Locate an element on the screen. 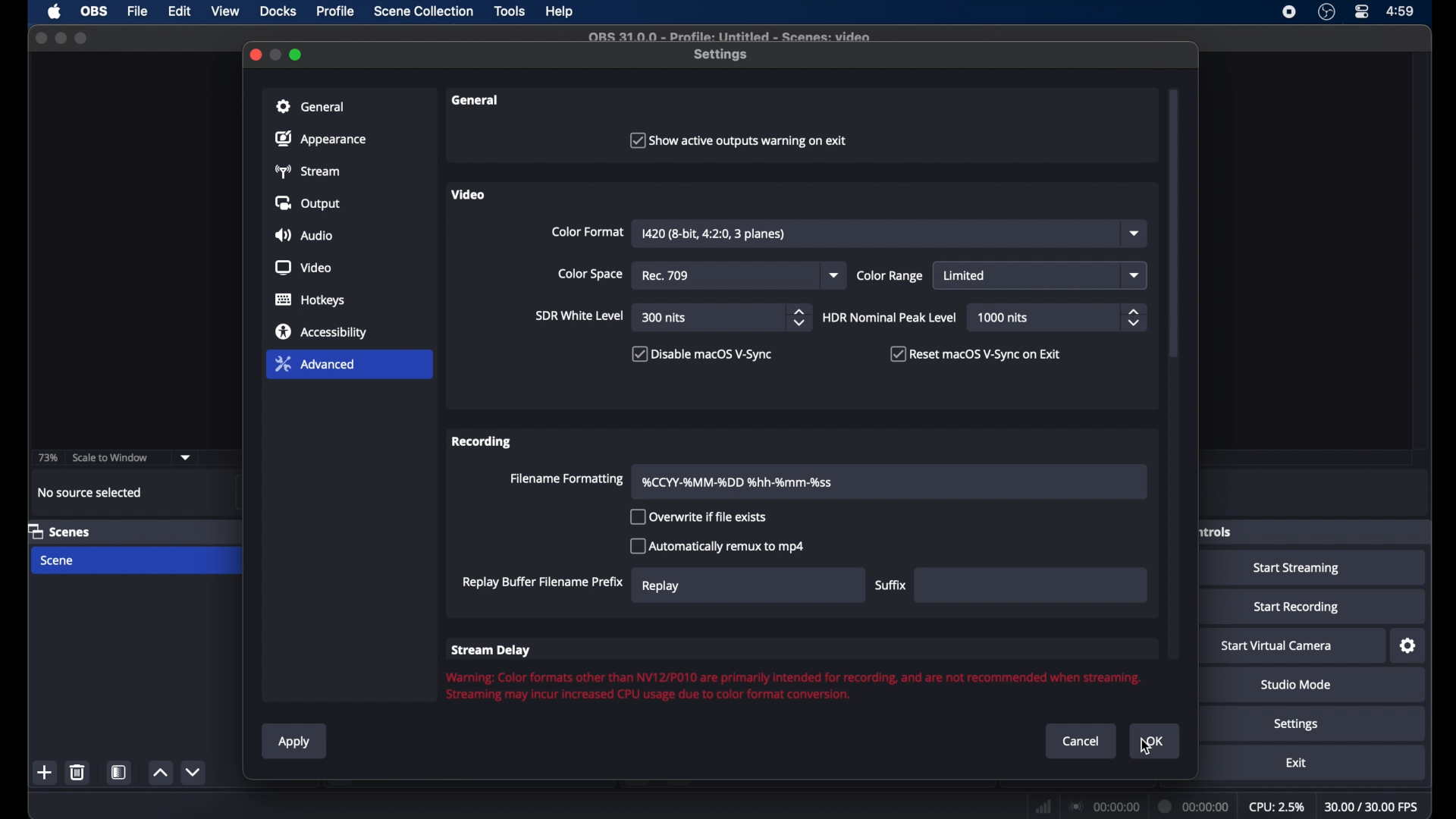 This screenshot has width=1456, height=819. docks is located at coordinates (278, 11).